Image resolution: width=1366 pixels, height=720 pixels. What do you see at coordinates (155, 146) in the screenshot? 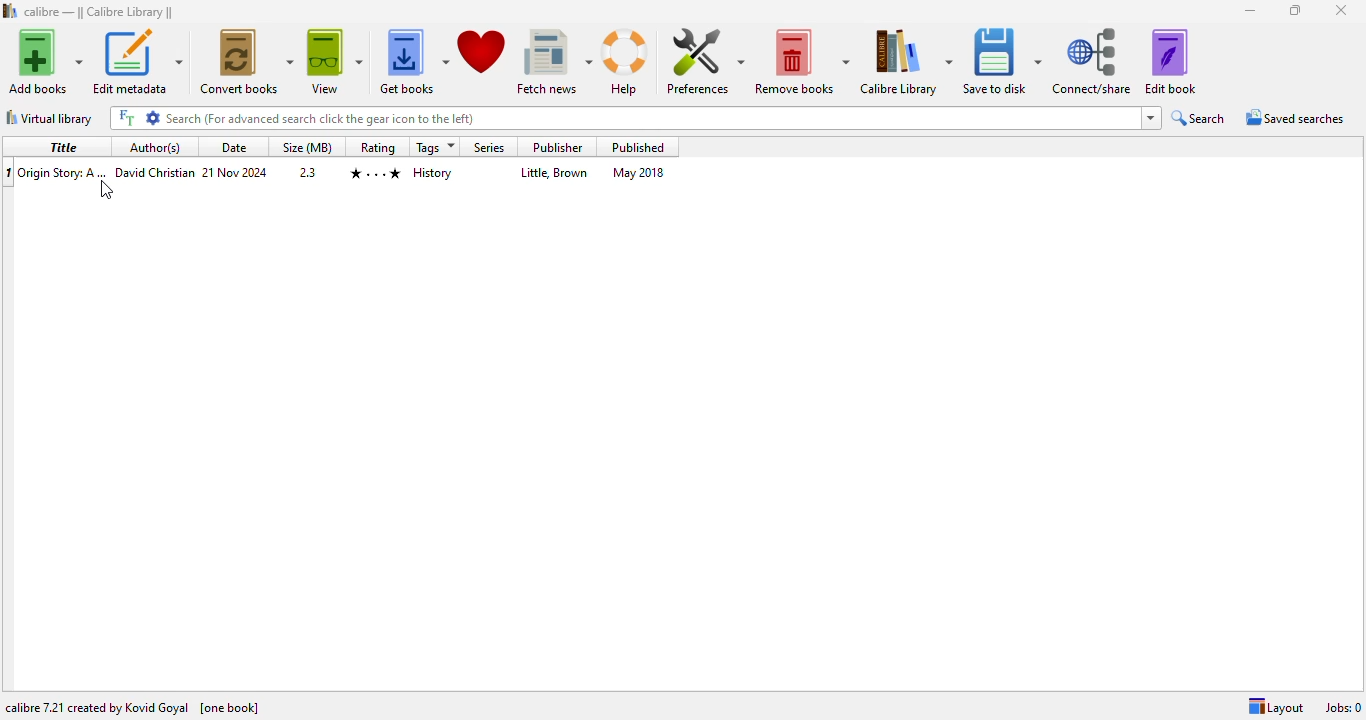
I see `author(s)` at bounding box center [155, 146].